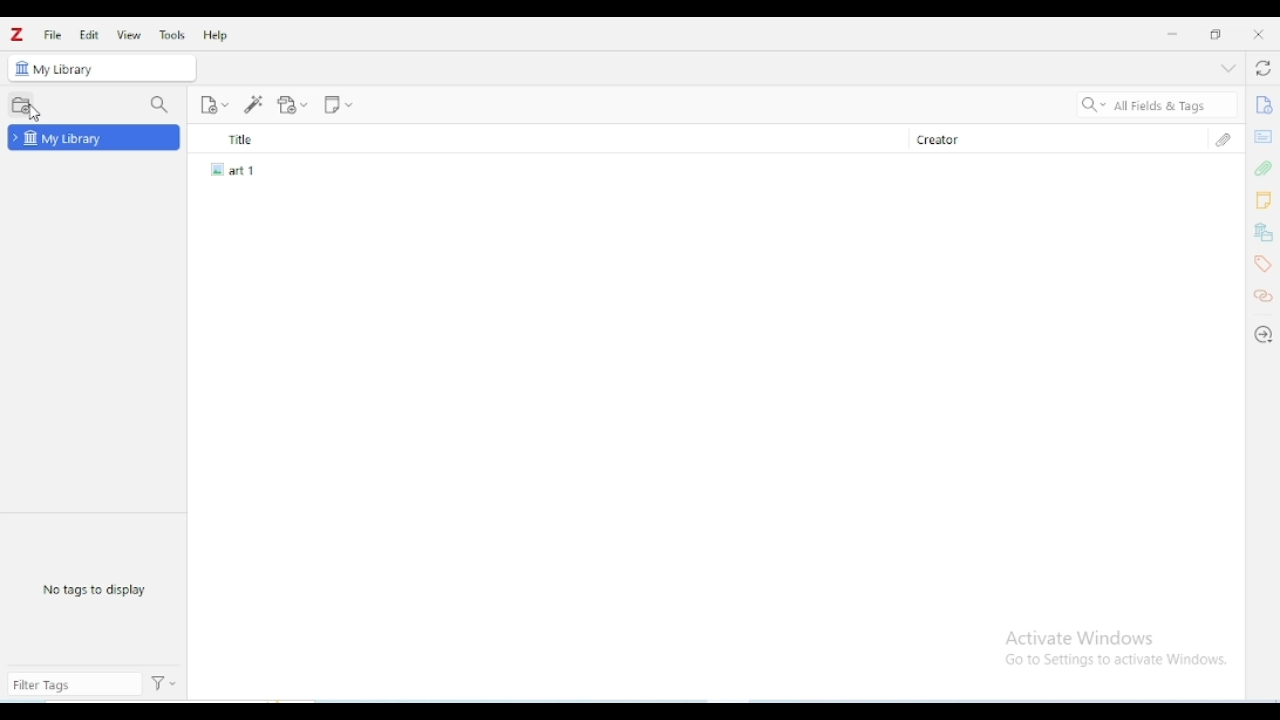 This screenshot has width=1280, height=720. Describe the element at coordinates (1119, 660) in the screenshot. I see `Go to Settings to activate Windows.` at that location.